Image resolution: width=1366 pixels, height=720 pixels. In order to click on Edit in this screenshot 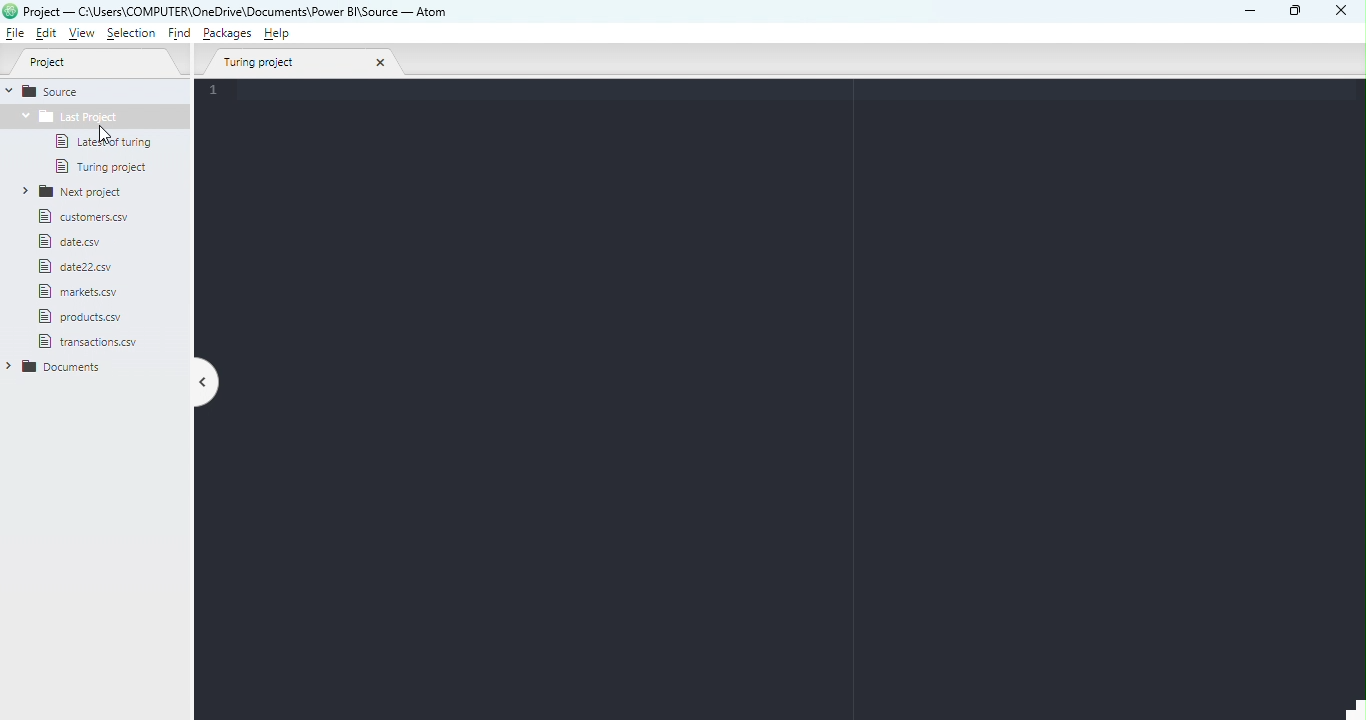, I will do `click(47, 34)`.